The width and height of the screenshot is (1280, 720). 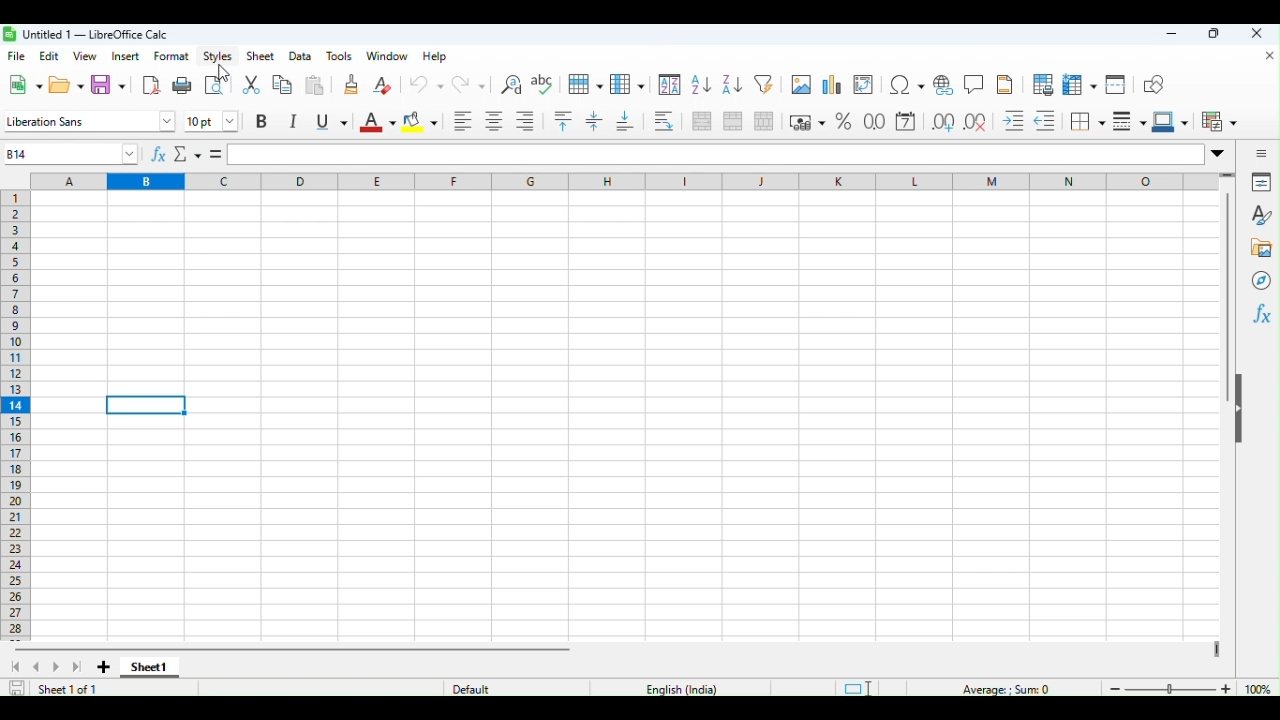 I want to click on b, so click(x=145, y=181).